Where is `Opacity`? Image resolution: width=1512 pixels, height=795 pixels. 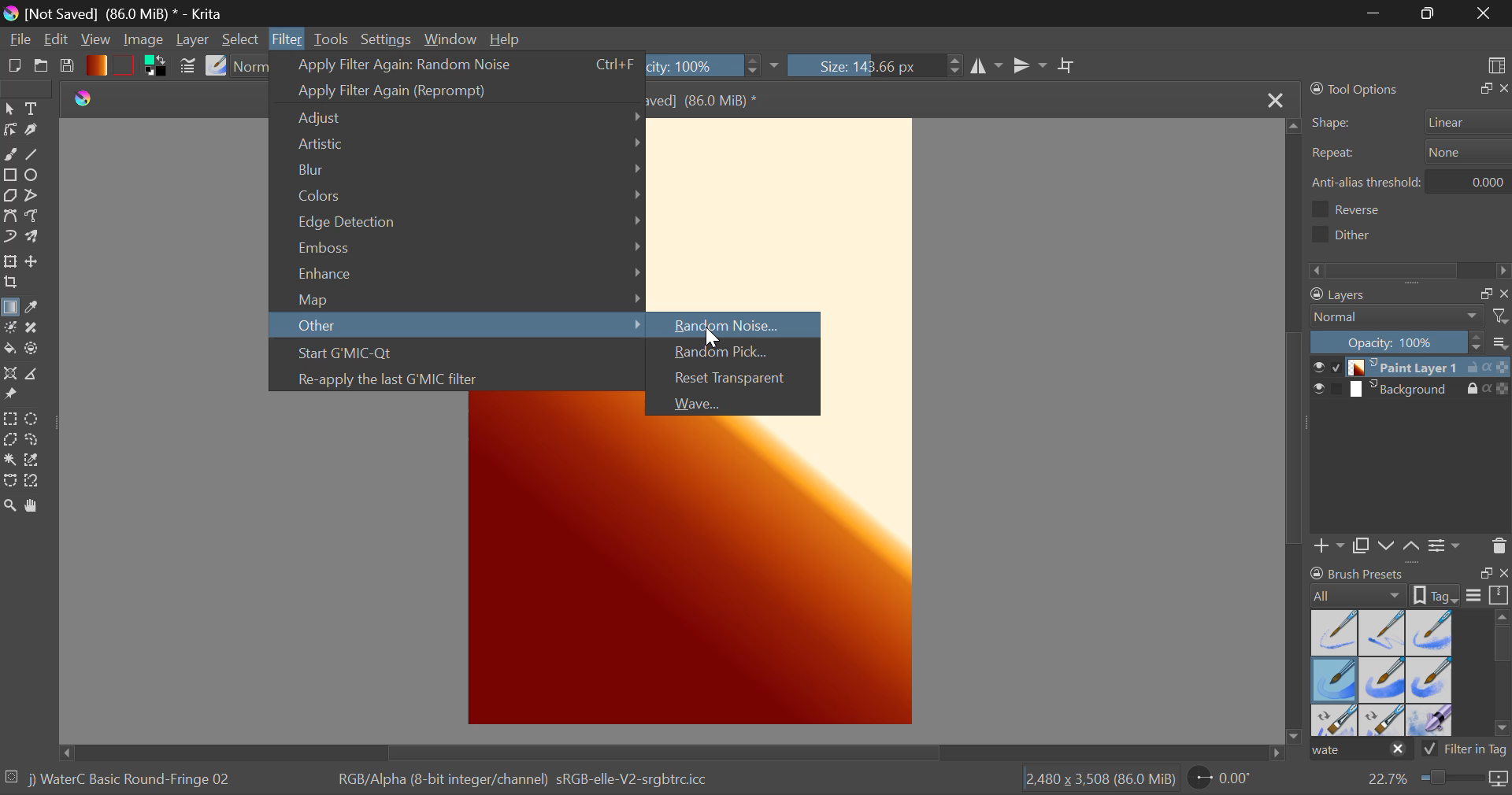 Opacity is located at coordinates (724, 66).